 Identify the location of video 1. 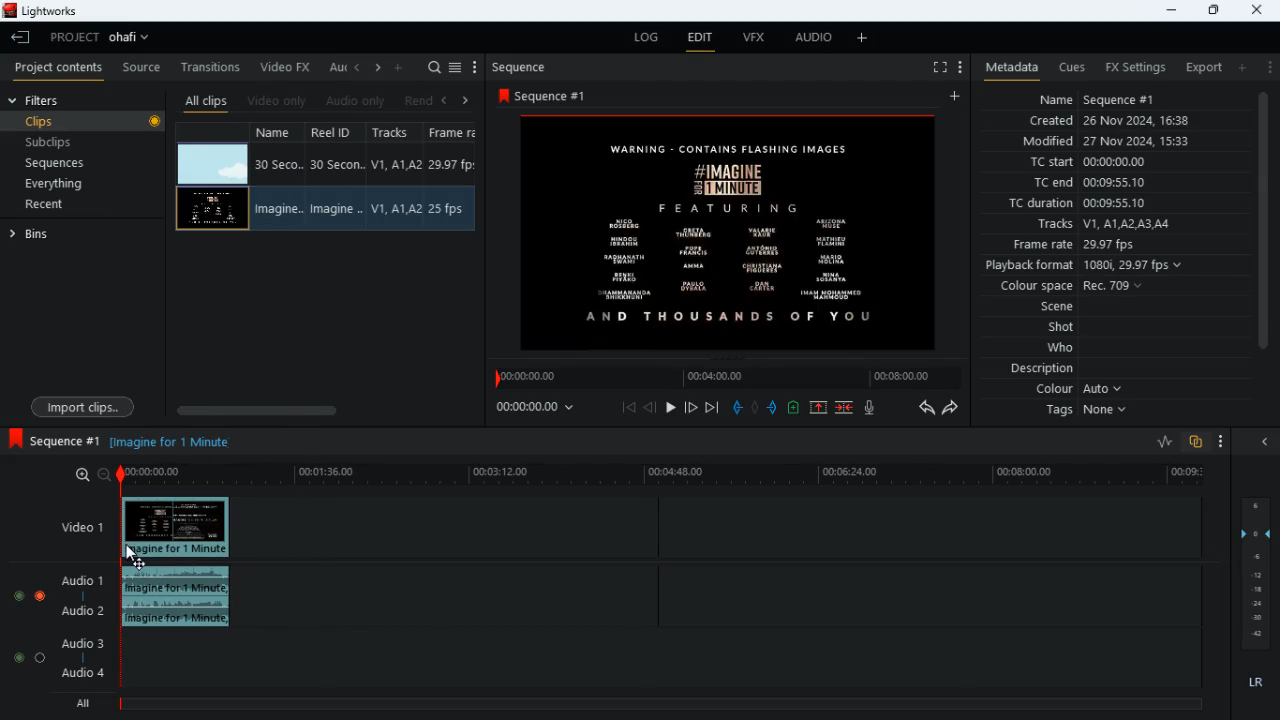
(75, 526).